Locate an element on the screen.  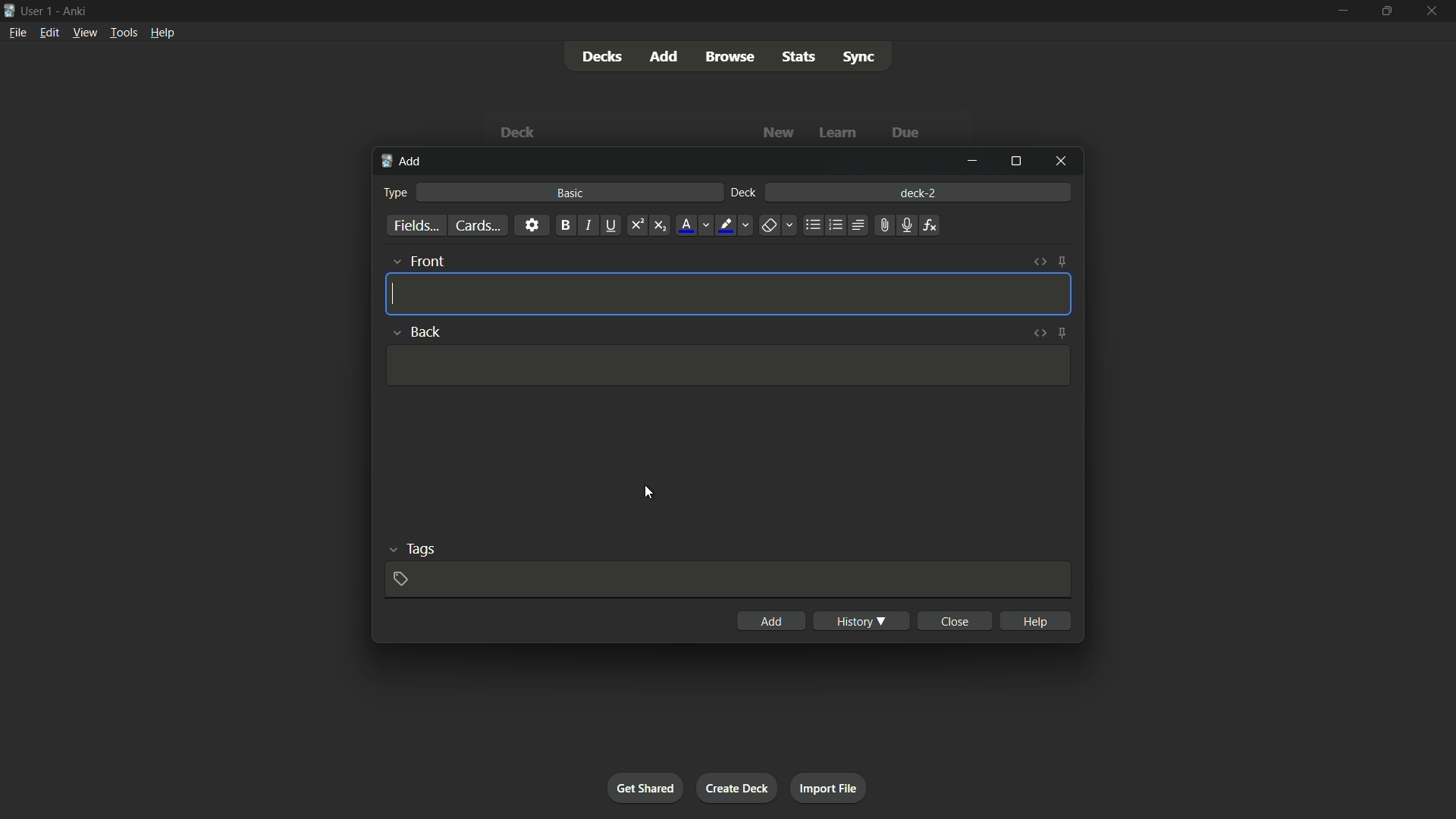
add is located at coordinates (403, 163).